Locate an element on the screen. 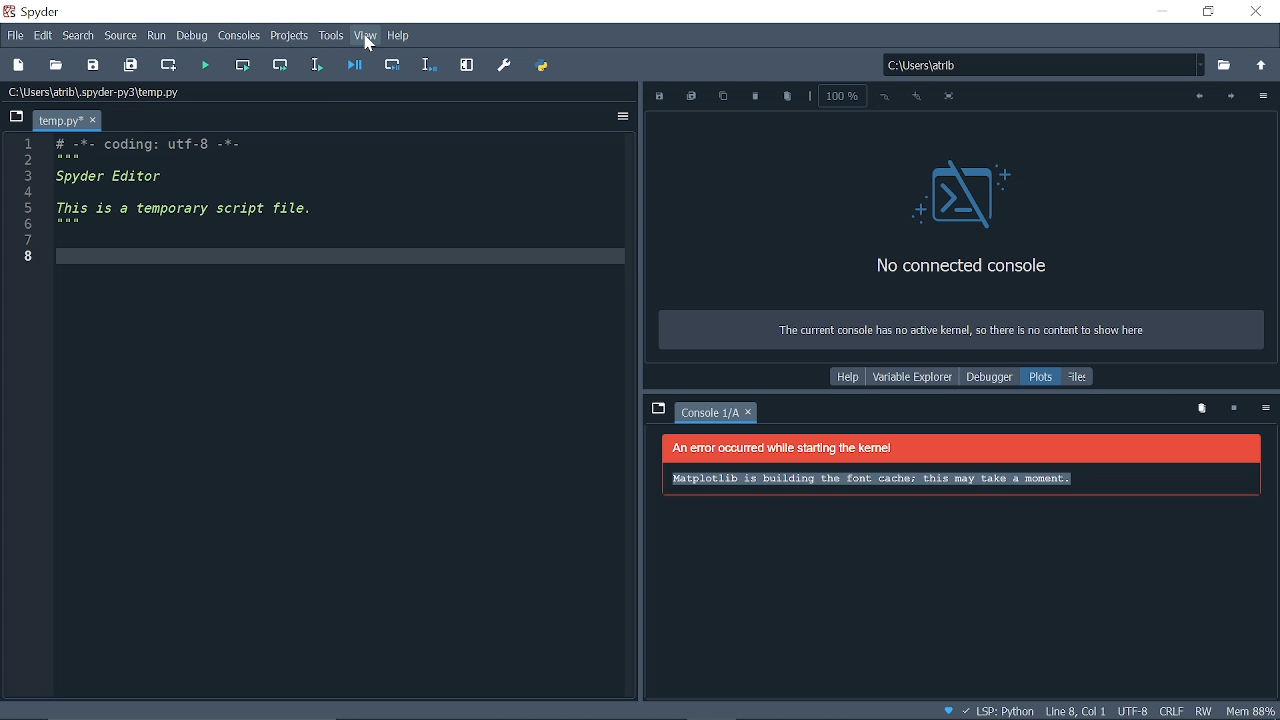  Plots is located at coordinates (1042, 377).